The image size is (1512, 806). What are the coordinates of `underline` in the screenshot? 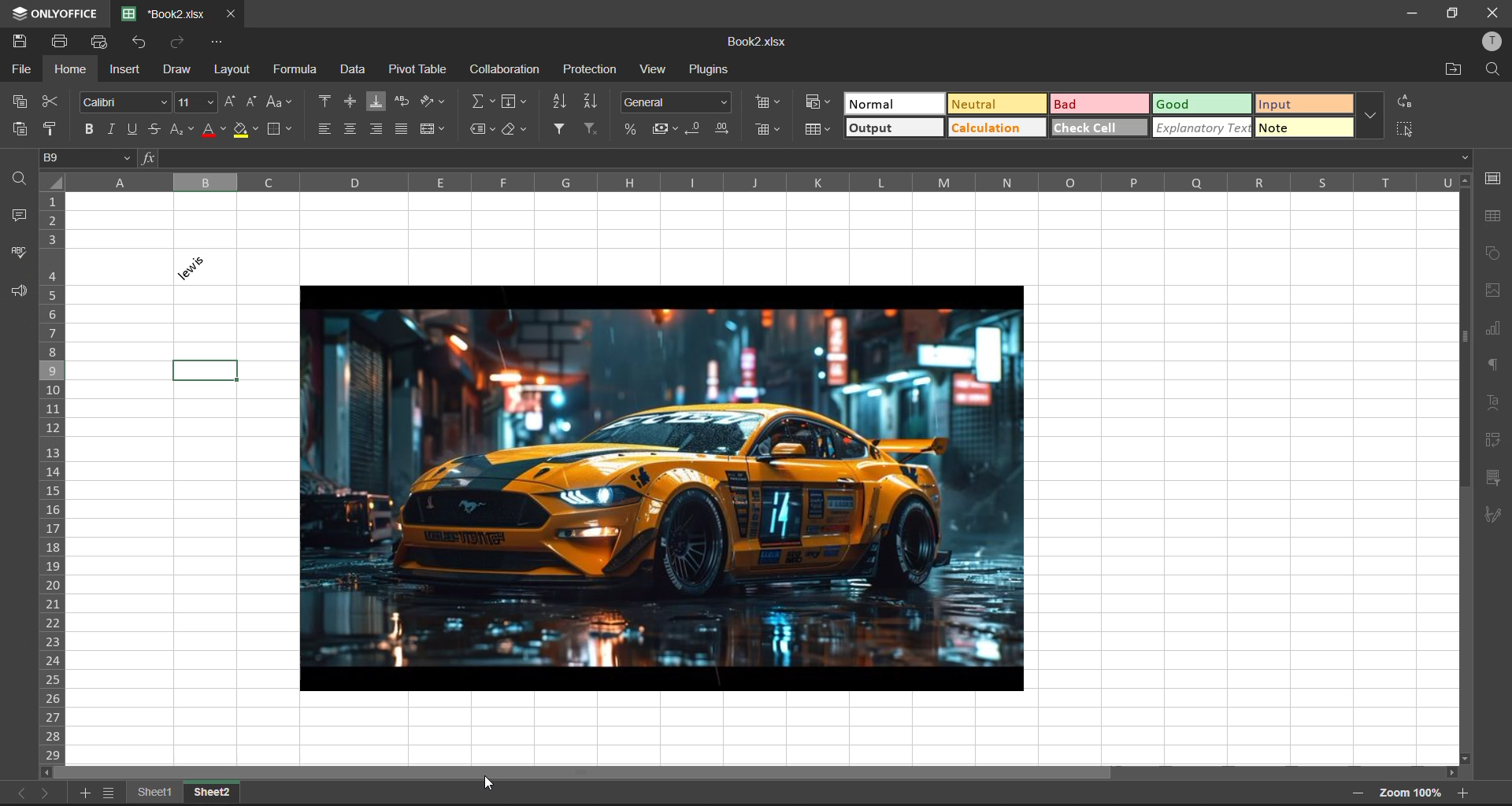 It's located at (132, 130).